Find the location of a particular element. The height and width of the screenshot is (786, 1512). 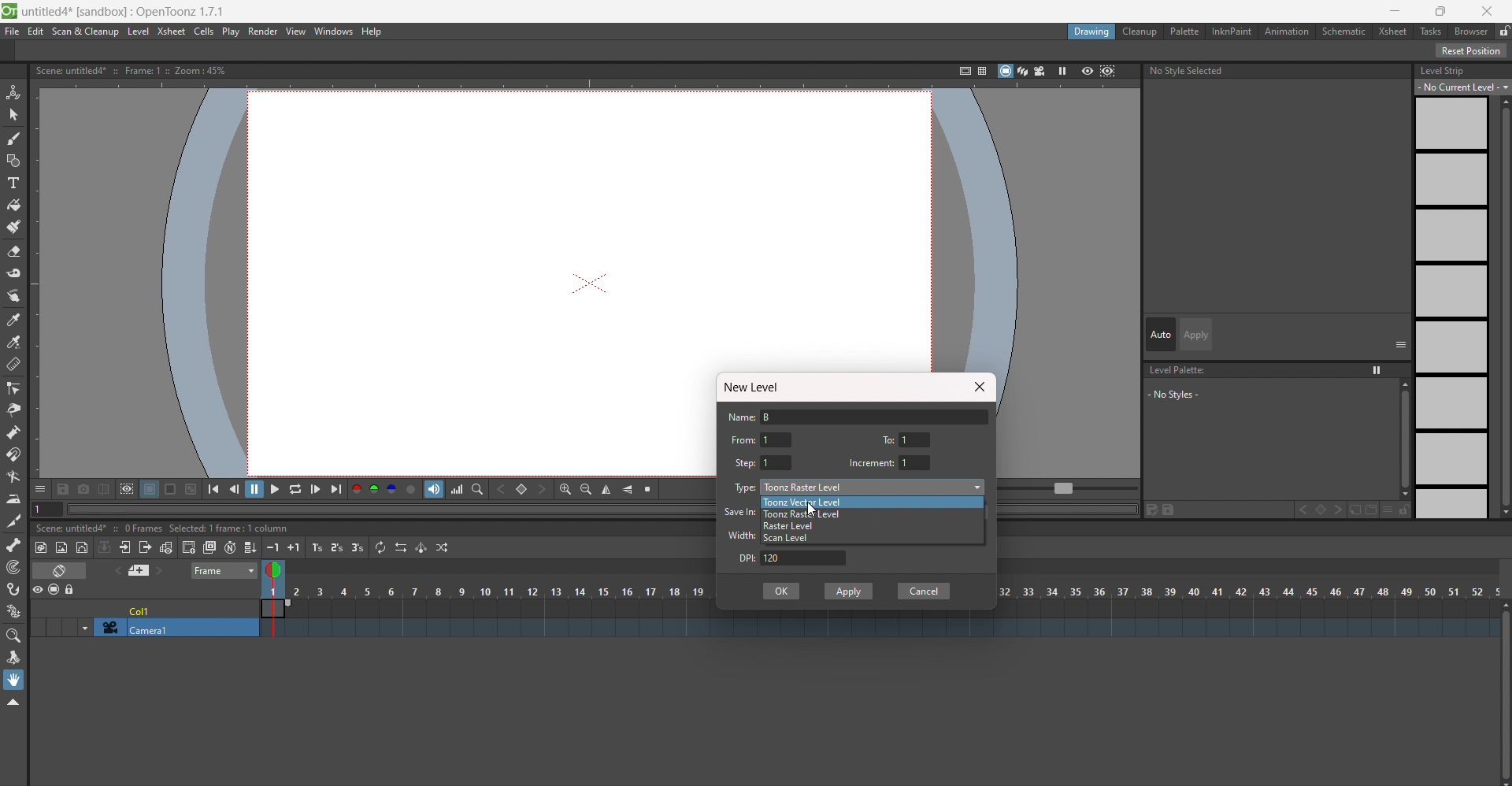

no styles is located at coordinates (1191, 394).